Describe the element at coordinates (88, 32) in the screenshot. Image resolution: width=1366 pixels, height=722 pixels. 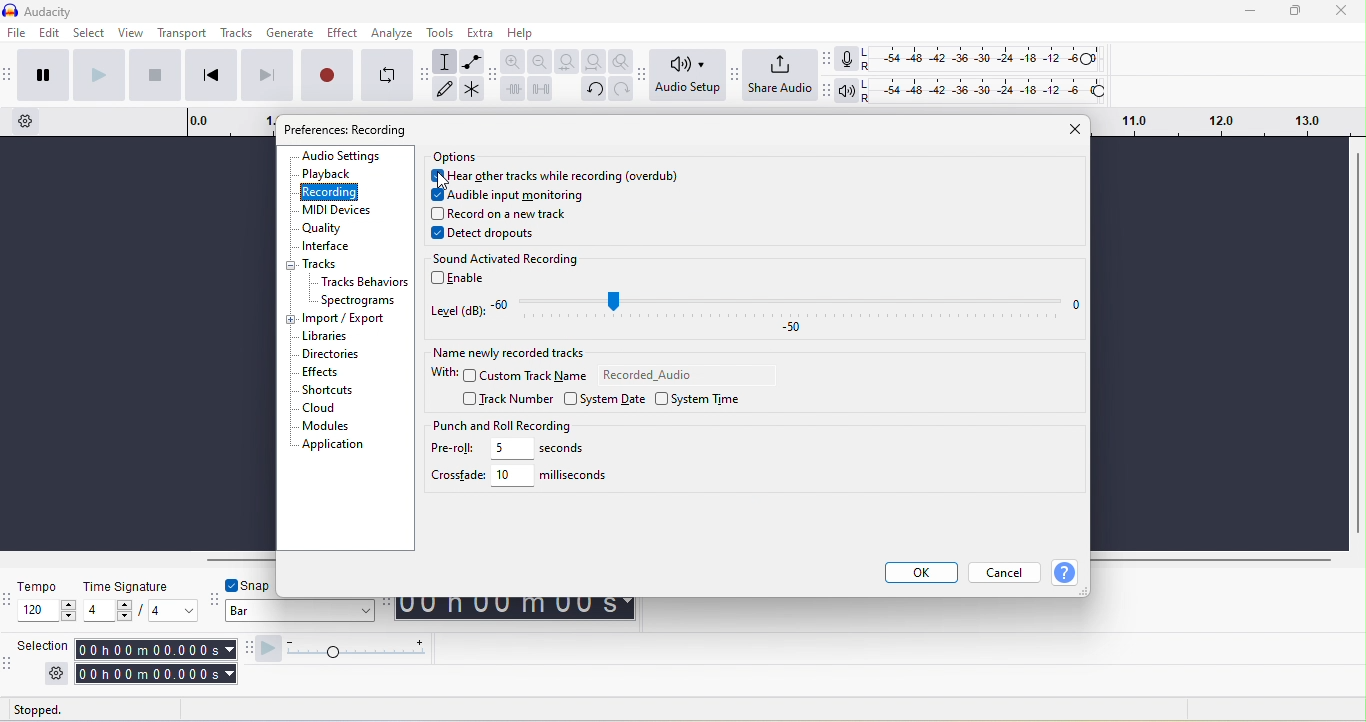
I see `select` at that location.